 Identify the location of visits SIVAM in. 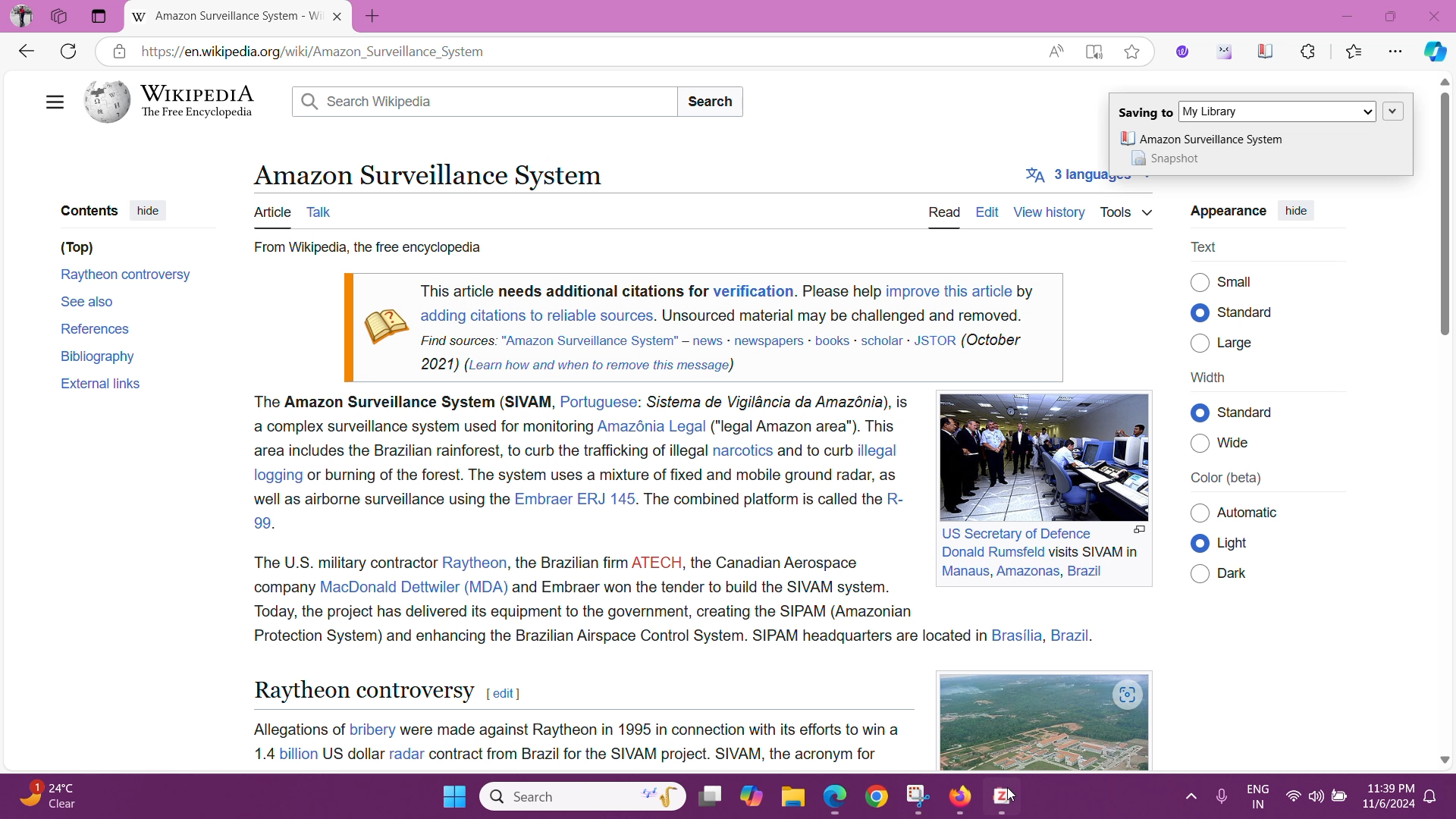
(1095, 551).